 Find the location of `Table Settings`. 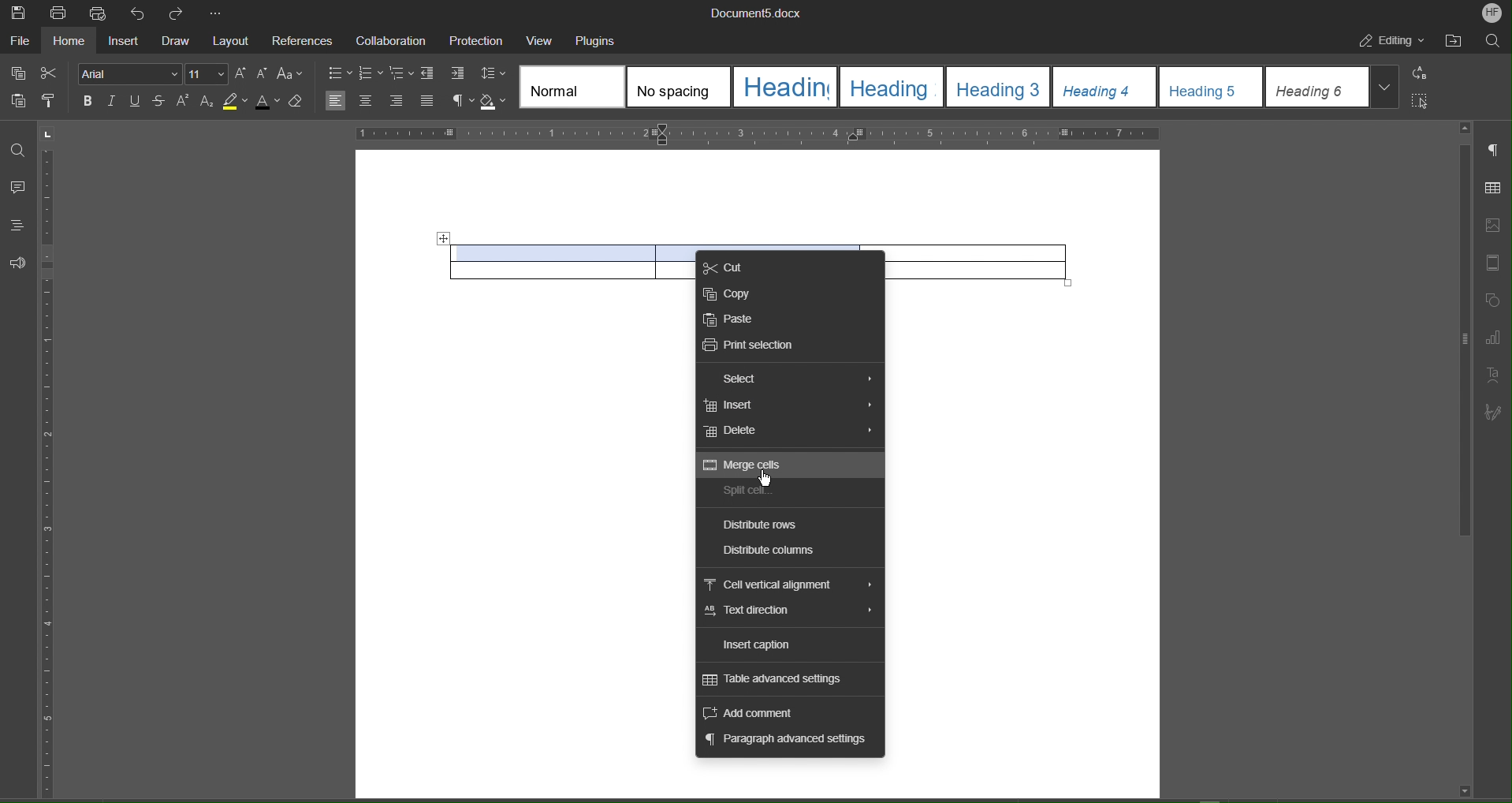

Table Settings is located at coordinates (1495, 187).